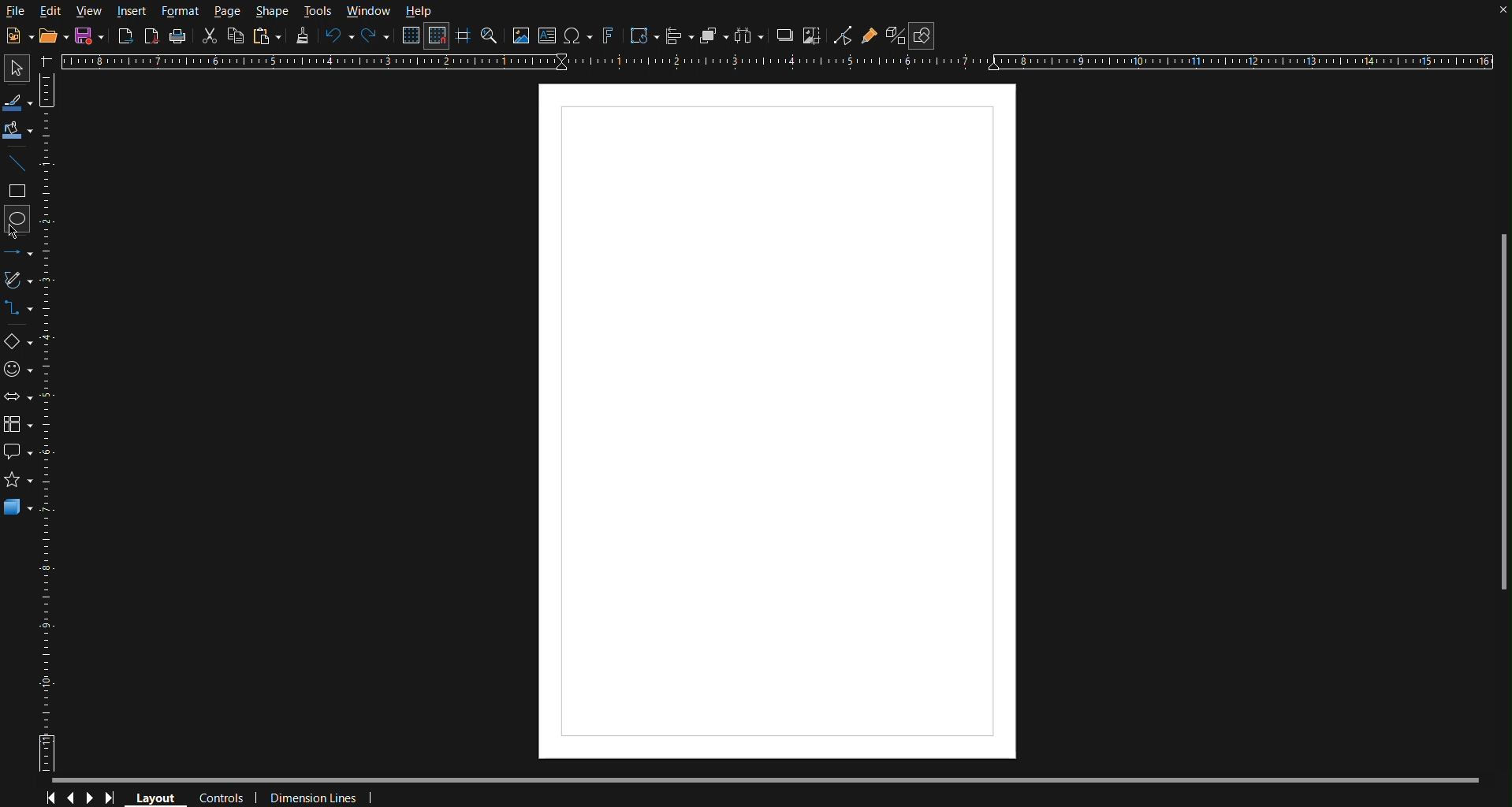 This screenshot has width=1512, height=807. Describe the element at coordinates (18, 252) in the screenshot. I see `Line and Arrows` at that location.